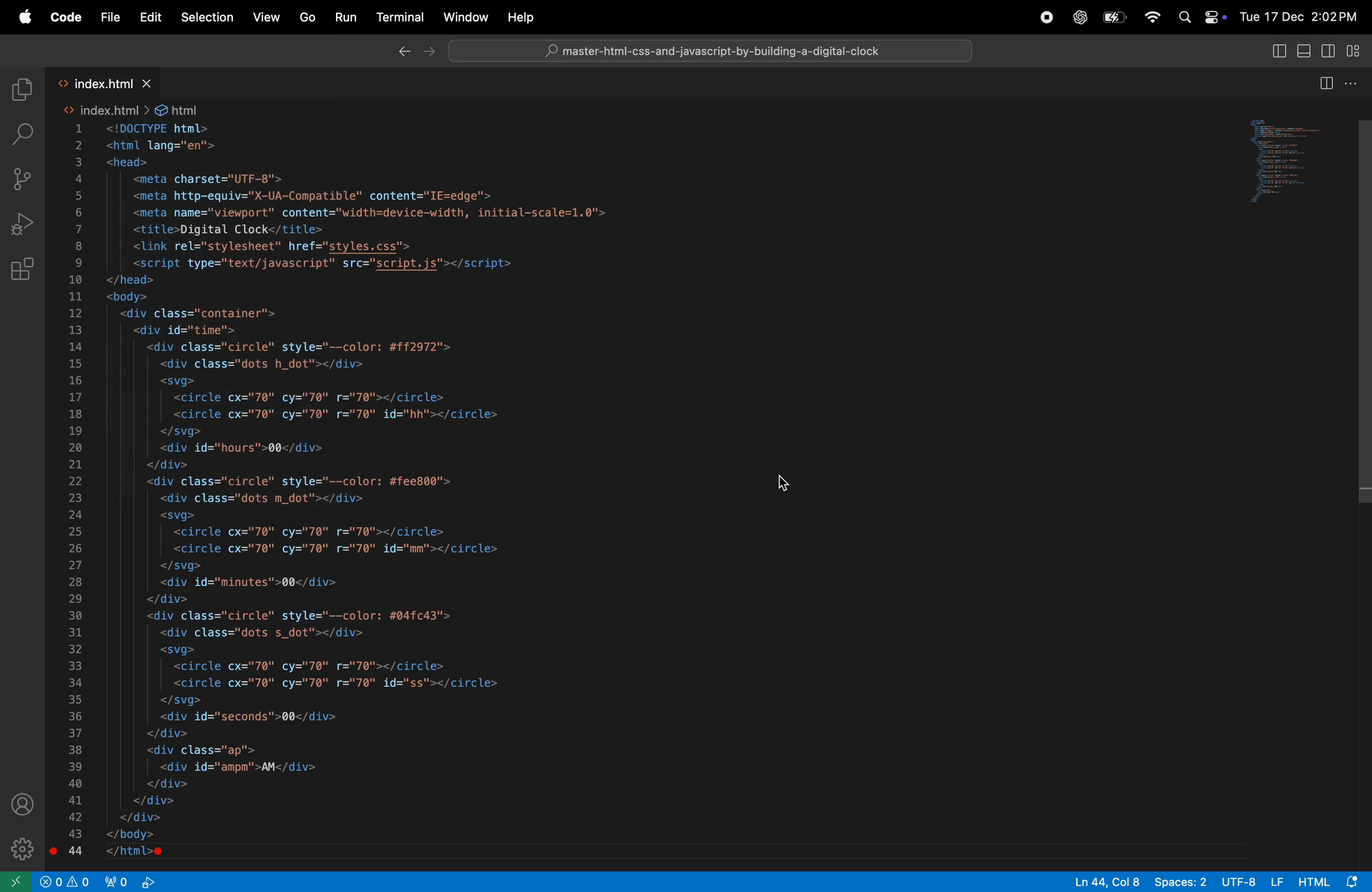 The width and height of the screenshot is (1372, 892). I want to click on , so click(523, 16).